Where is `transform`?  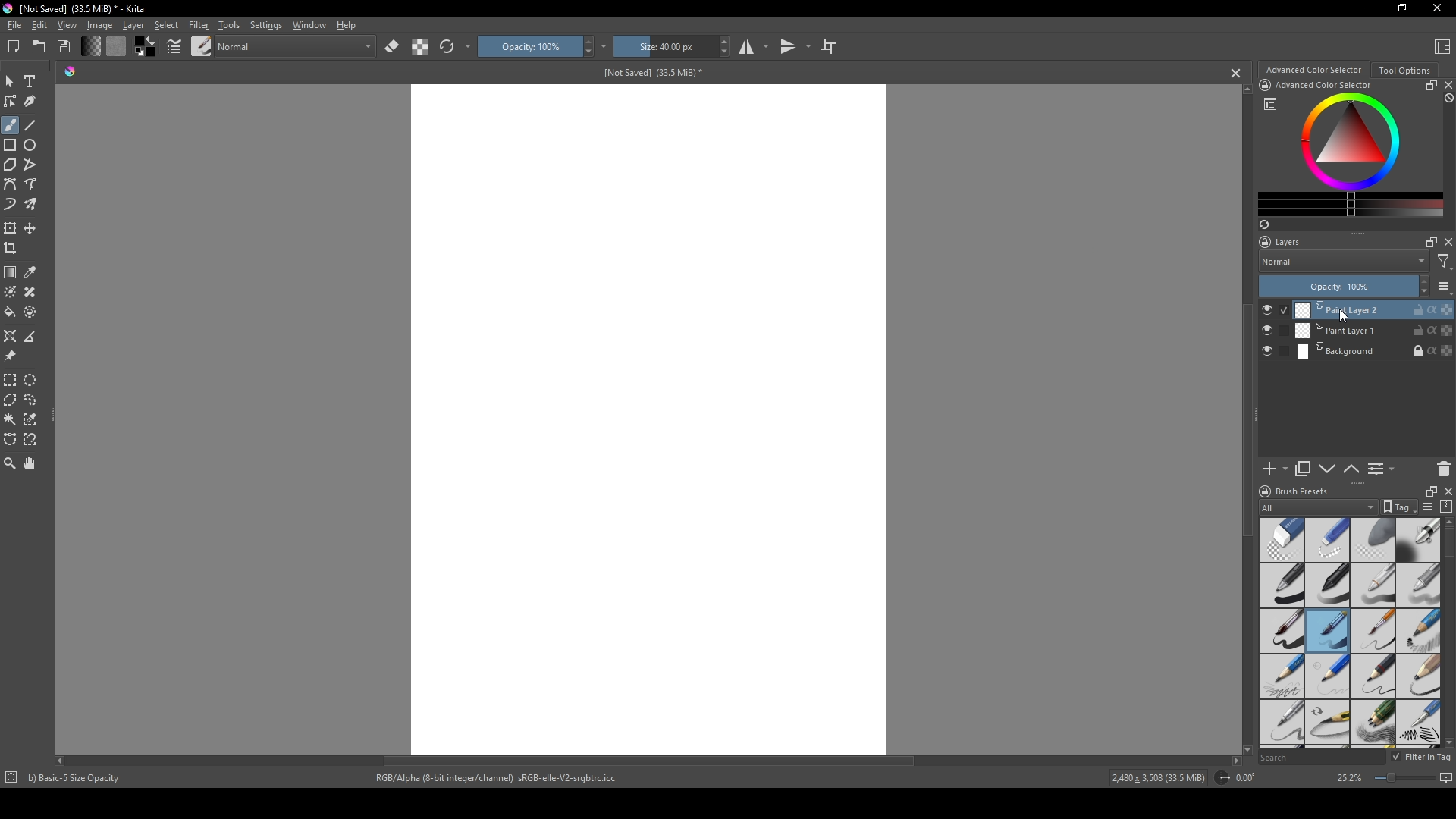 transform is located at coordinates (11, 227).